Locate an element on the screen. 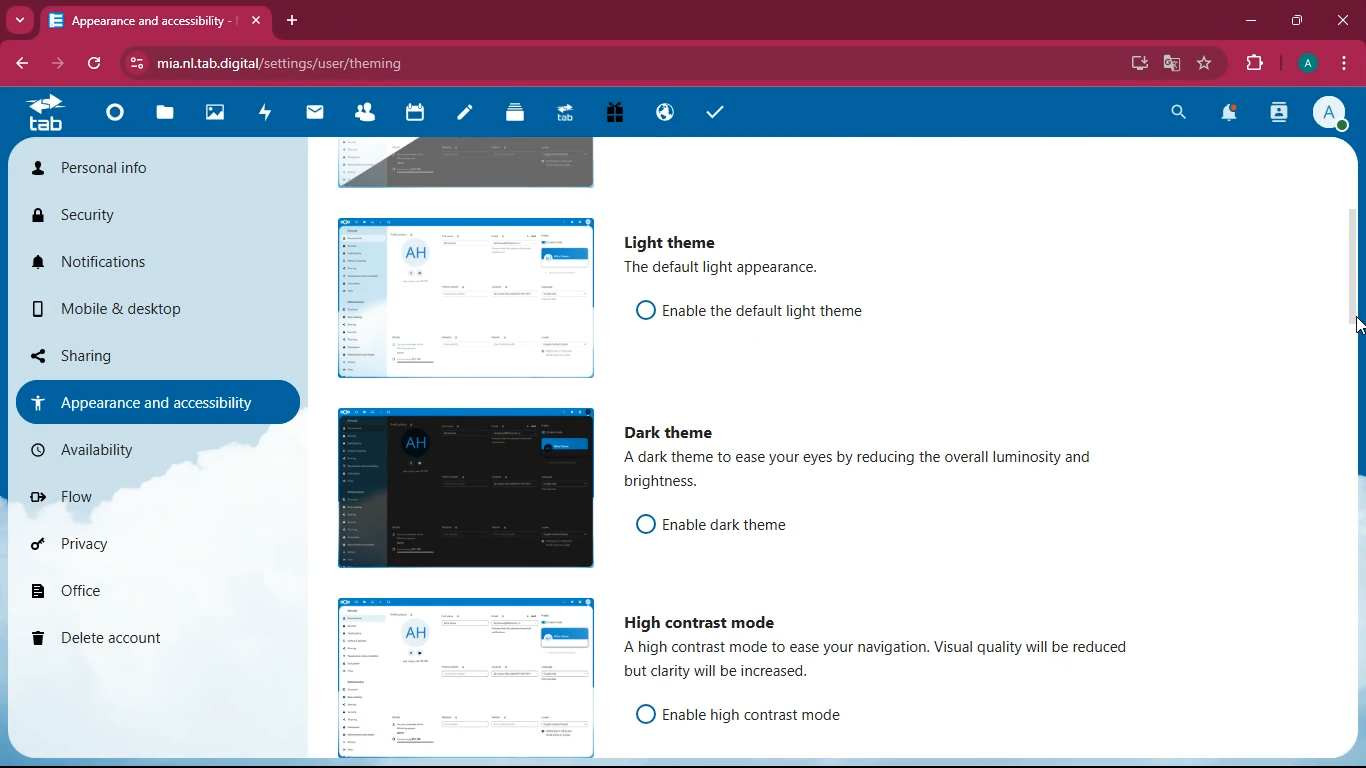  desktop is located at coordinates (1140, 62).